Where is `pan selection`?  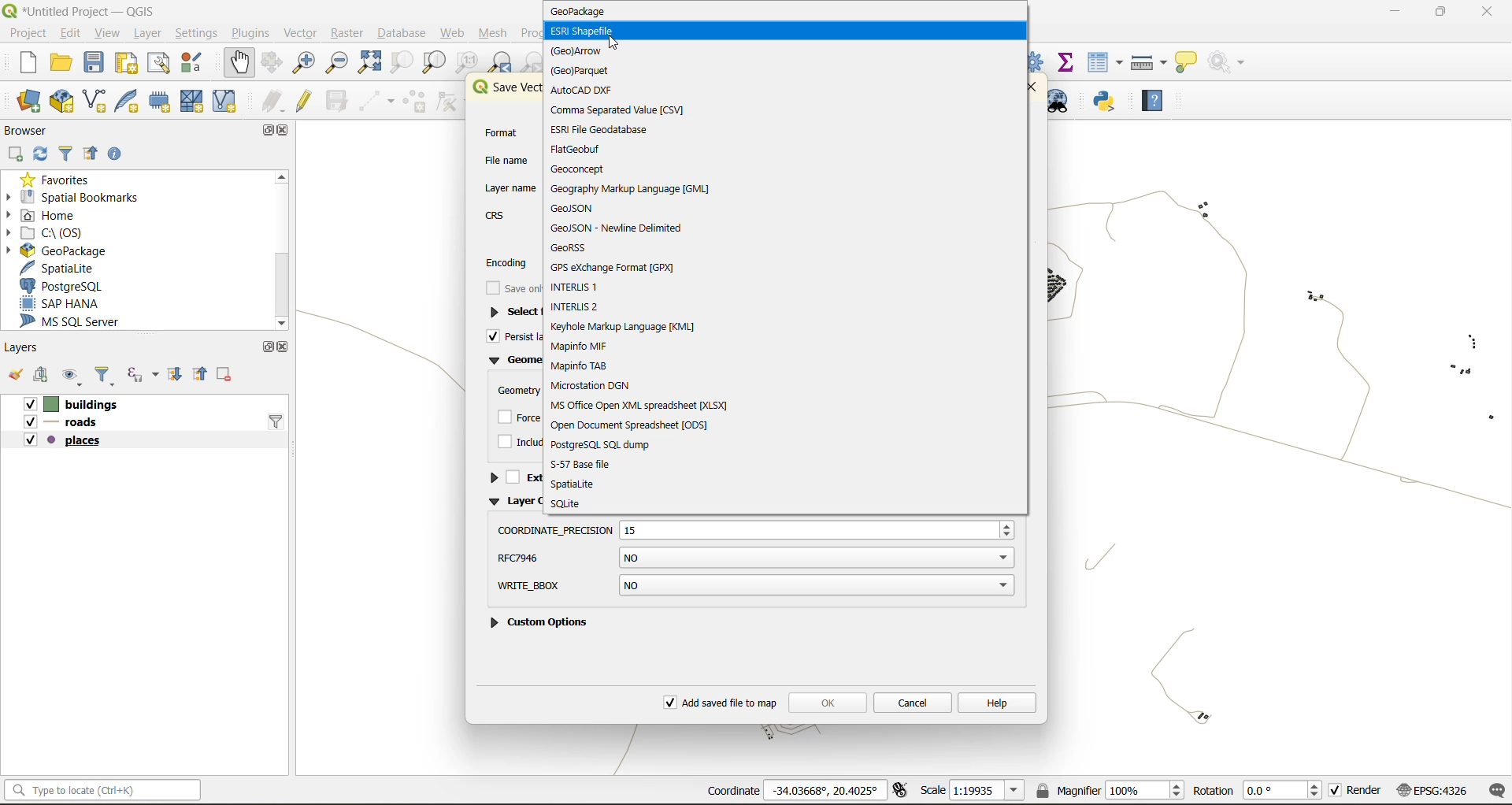
pan selection is located at coordinates (271, 62).